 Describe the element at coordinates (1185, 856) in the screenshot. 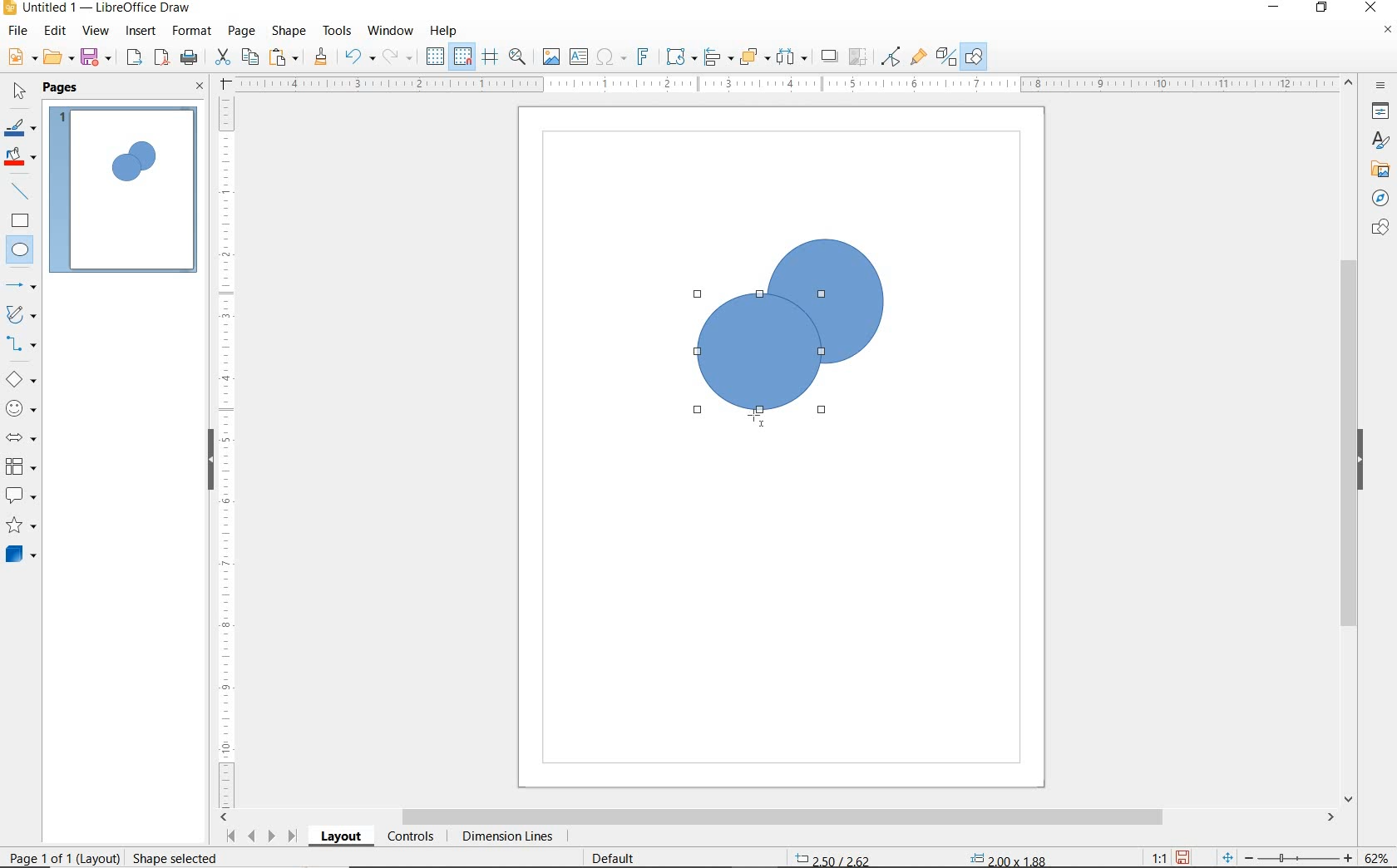

I see `SAVE` at that location.